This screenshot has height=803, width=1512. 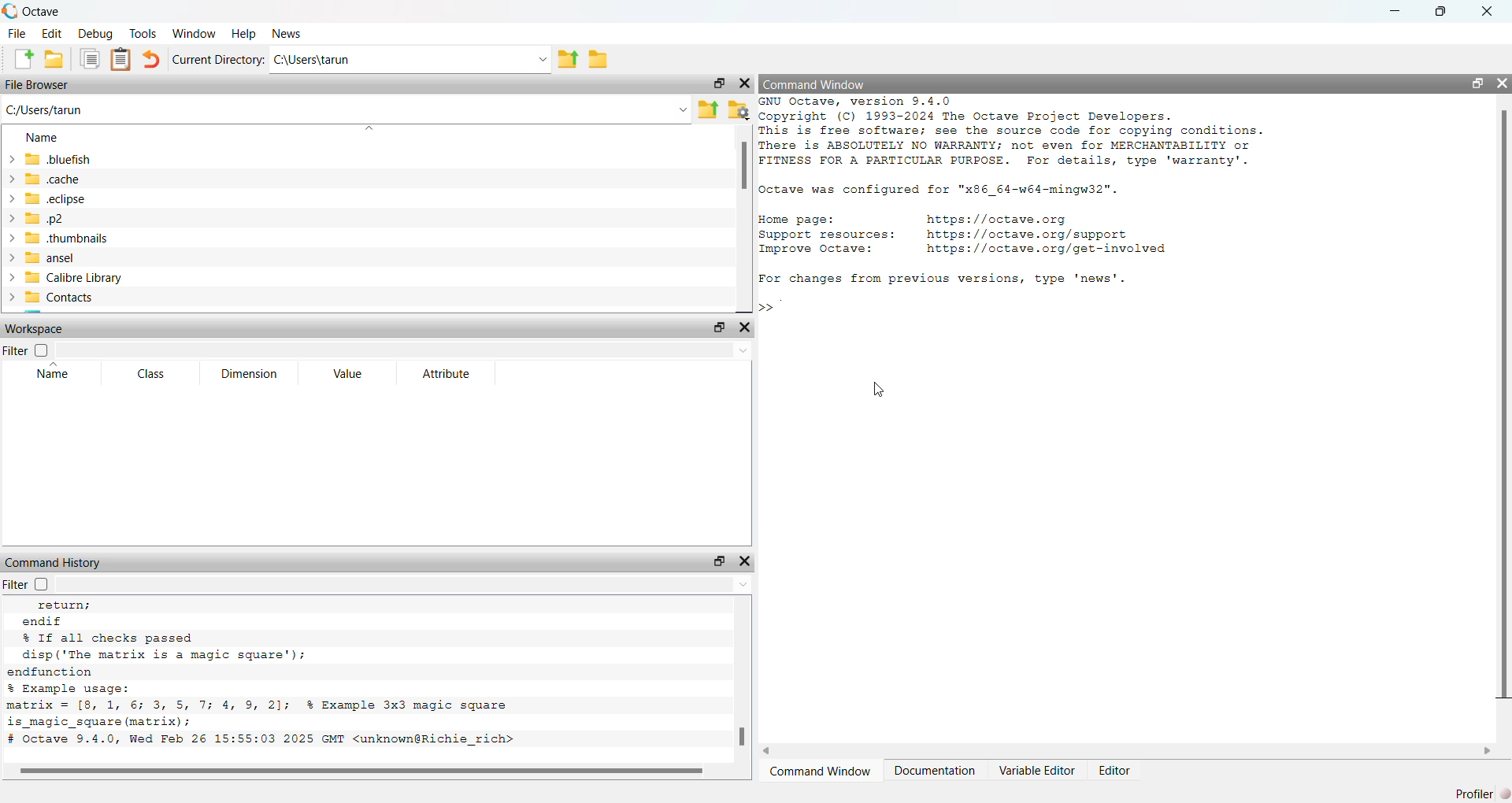 What do you see at coordinates (55, 238) in the screenshot?
I see `.thumbnails` at bounding box center [55, 238].